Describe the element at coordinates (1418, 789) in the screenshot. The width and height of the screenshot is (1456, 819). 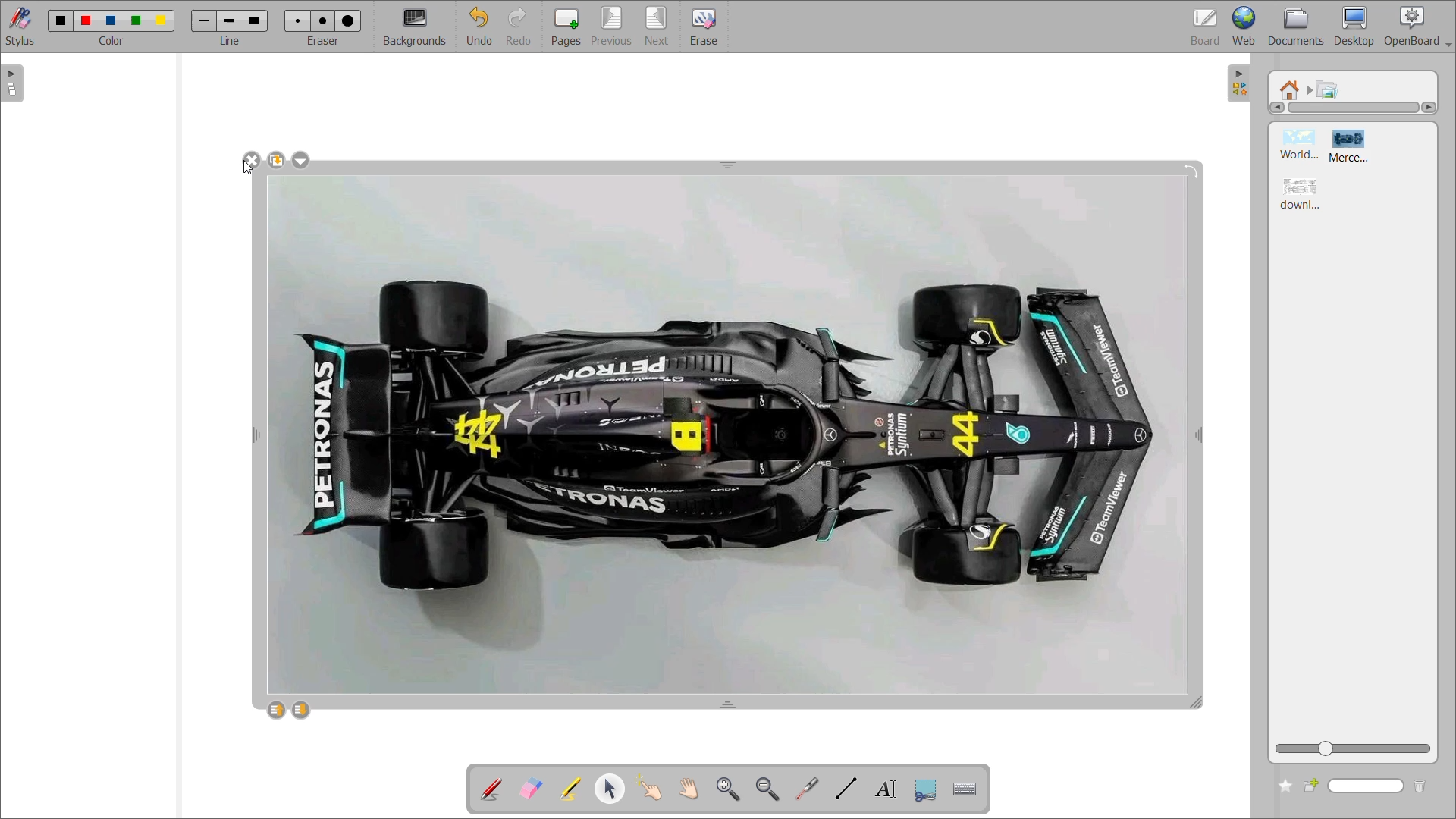
I see `delete` at that location.